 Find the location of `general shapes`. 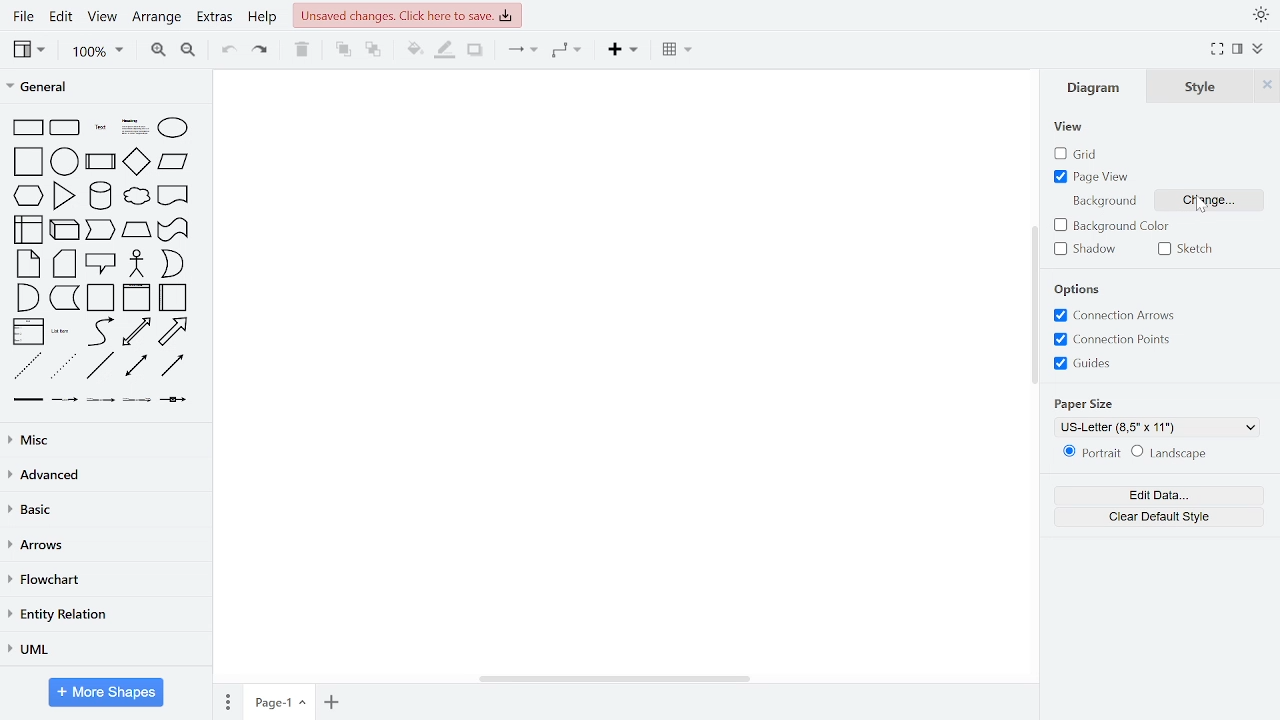

general shapes is located at coordinates (173, 161).